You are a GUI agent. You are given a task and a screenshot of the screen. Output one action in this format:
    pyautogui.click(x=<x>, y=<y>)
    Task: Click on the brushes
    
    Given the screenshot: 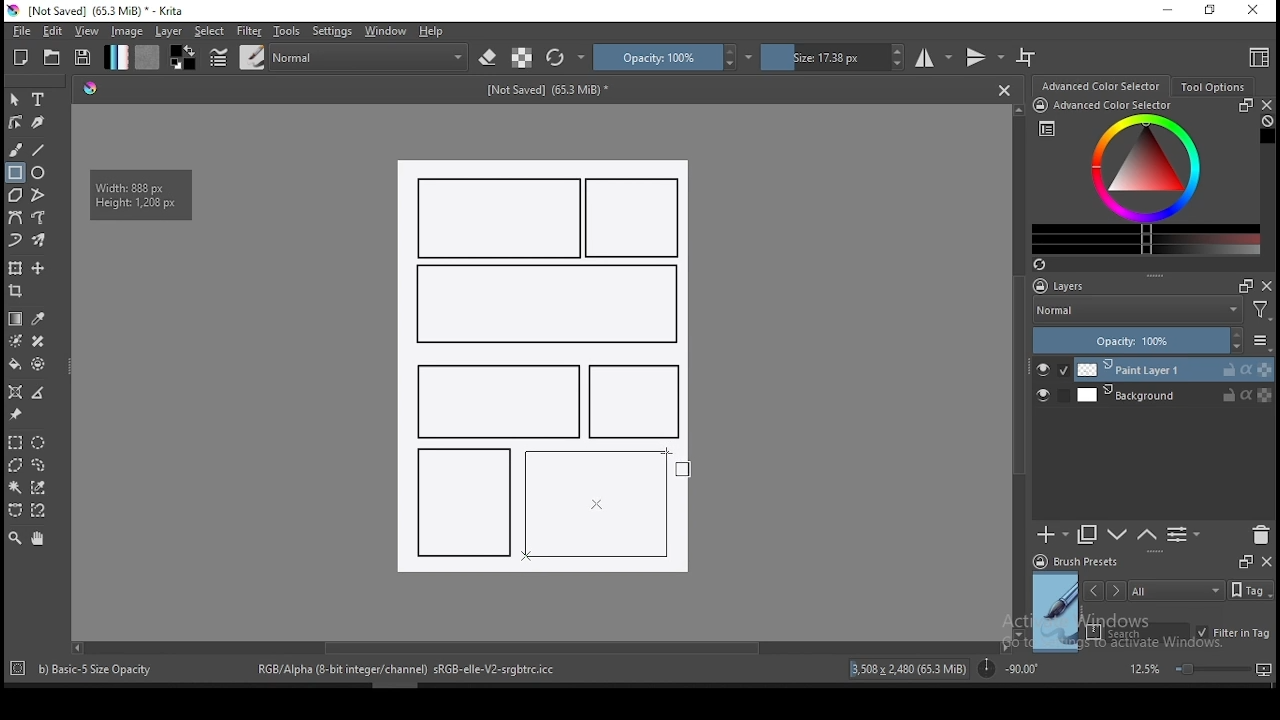 What is the action you would take?
    pyautogui.click(x=252, y=57)
    